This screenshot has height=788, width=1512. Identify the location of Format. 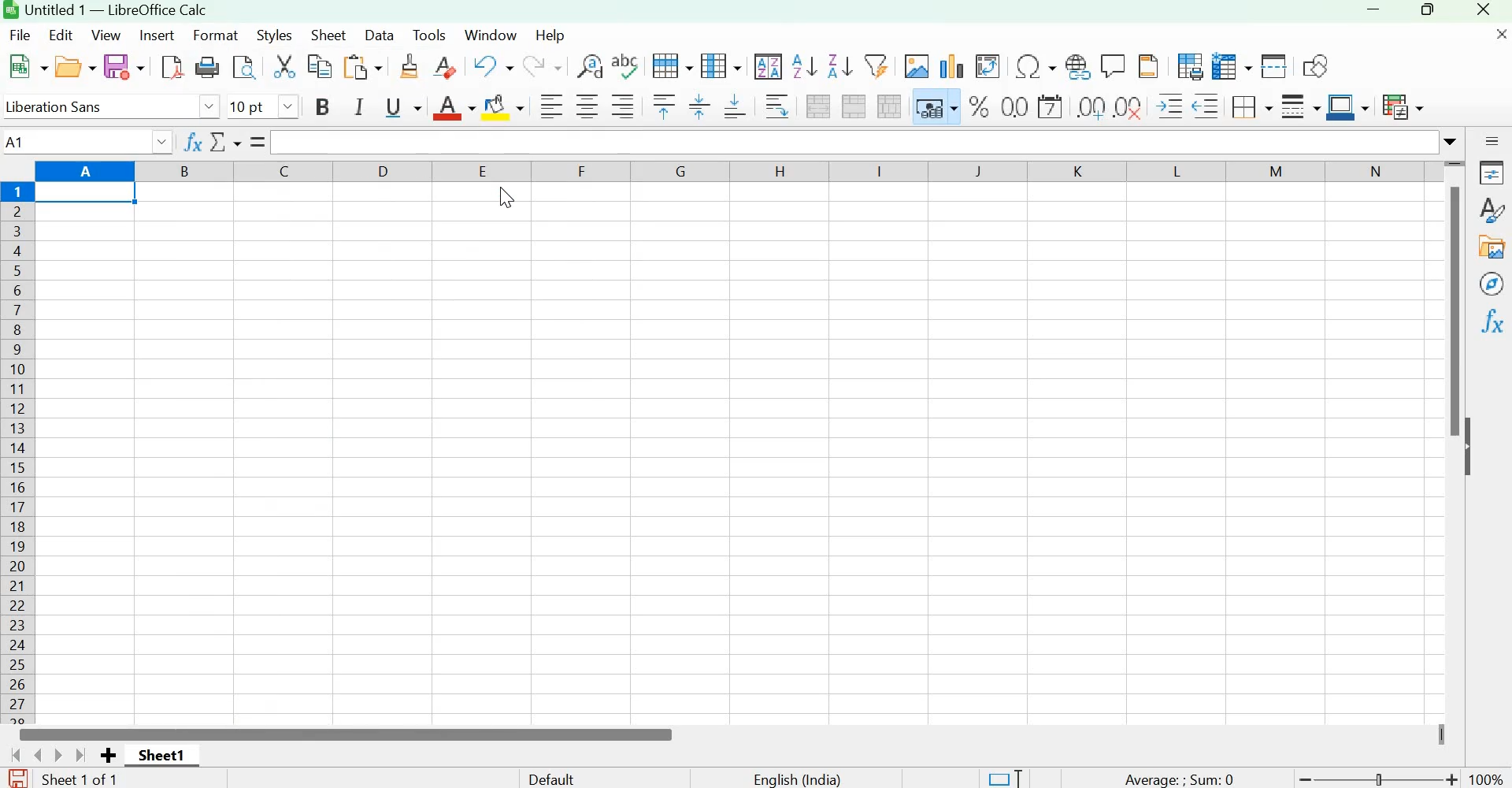
(217, 34).